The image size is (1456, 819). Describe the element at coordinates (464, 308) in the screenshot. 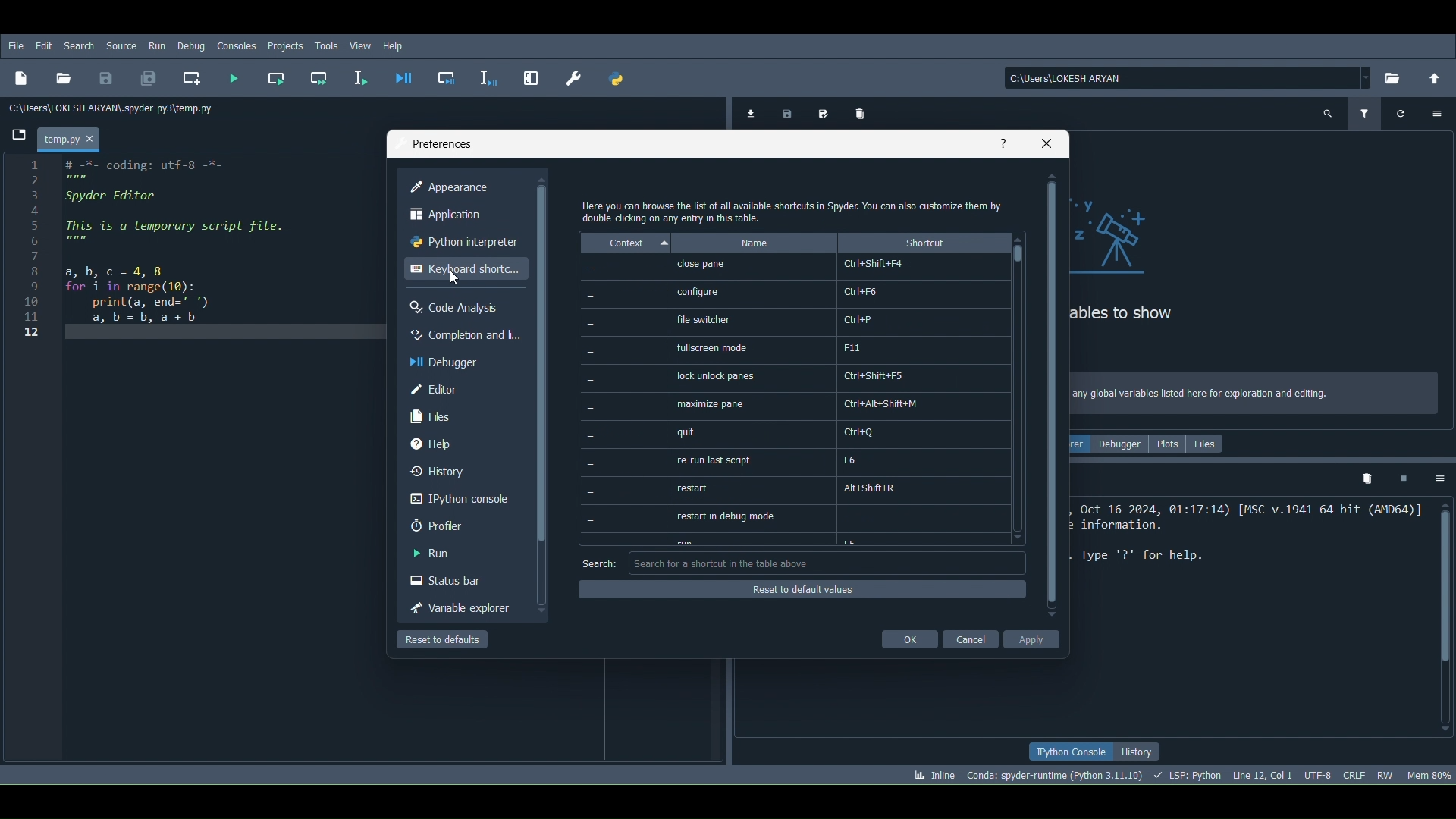

I see `Code Analysis` at that location.